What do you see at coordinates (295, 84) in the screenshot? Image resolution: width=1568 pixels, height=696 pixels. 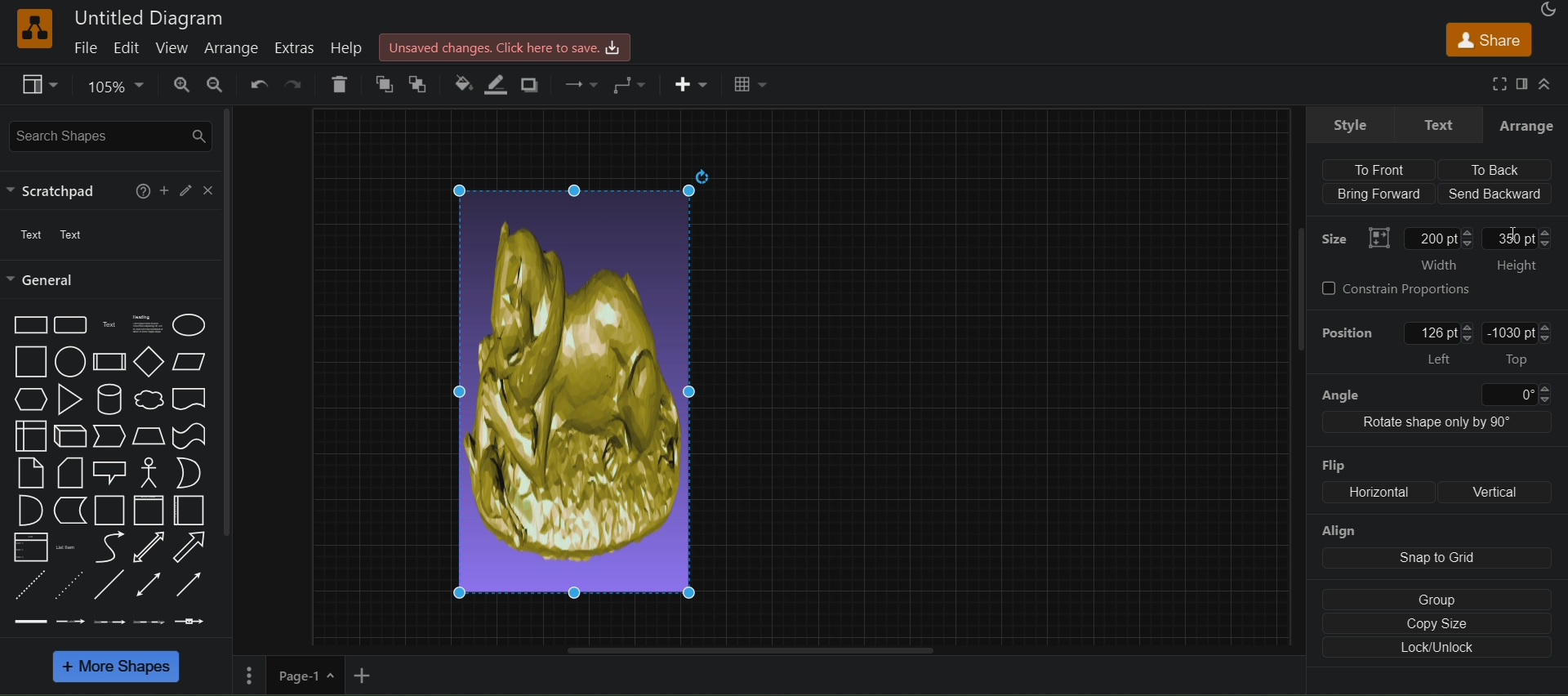 I see `redo` at bounding box center [295, 84].